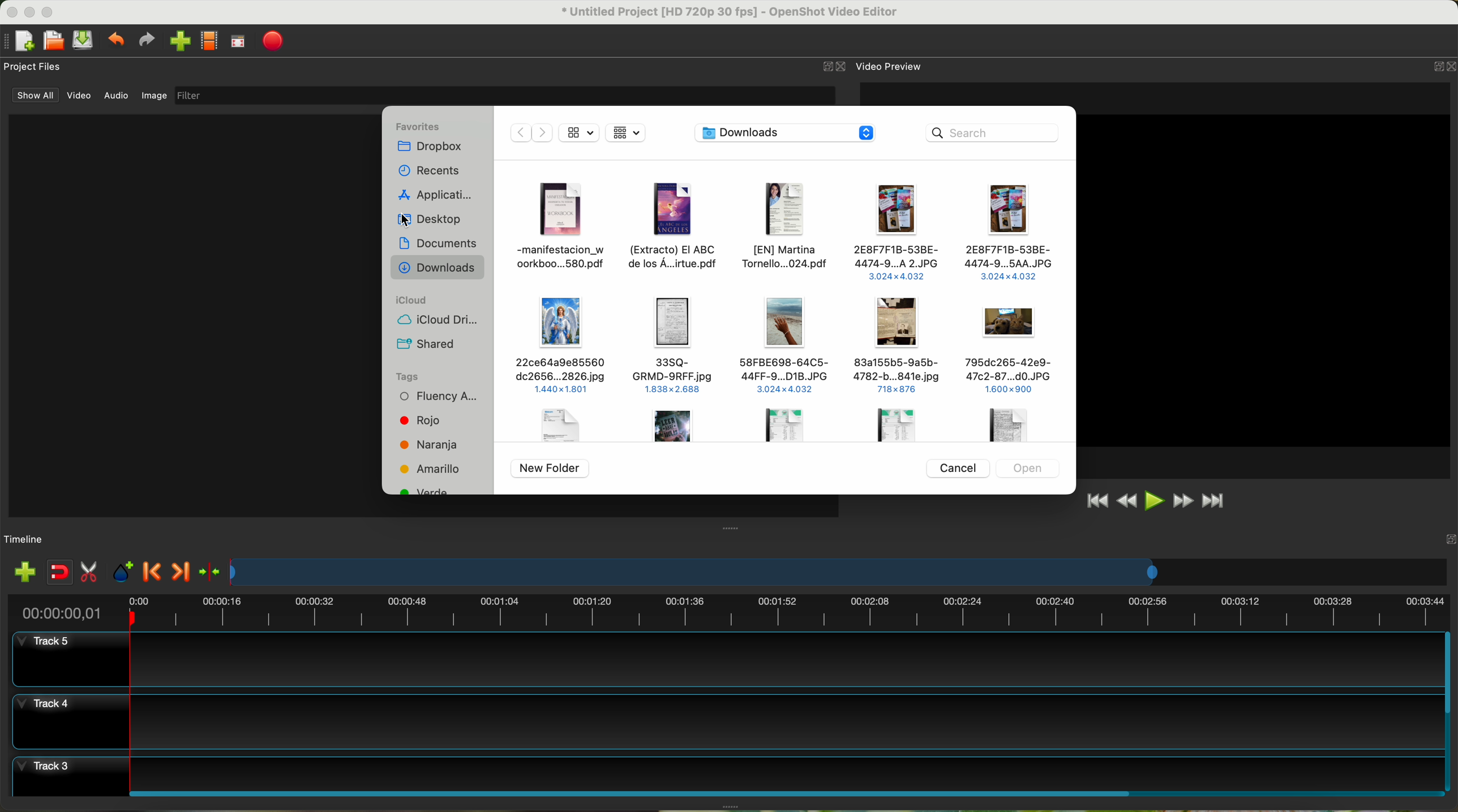  I want to click on navigate arrows, so click(529, 132).